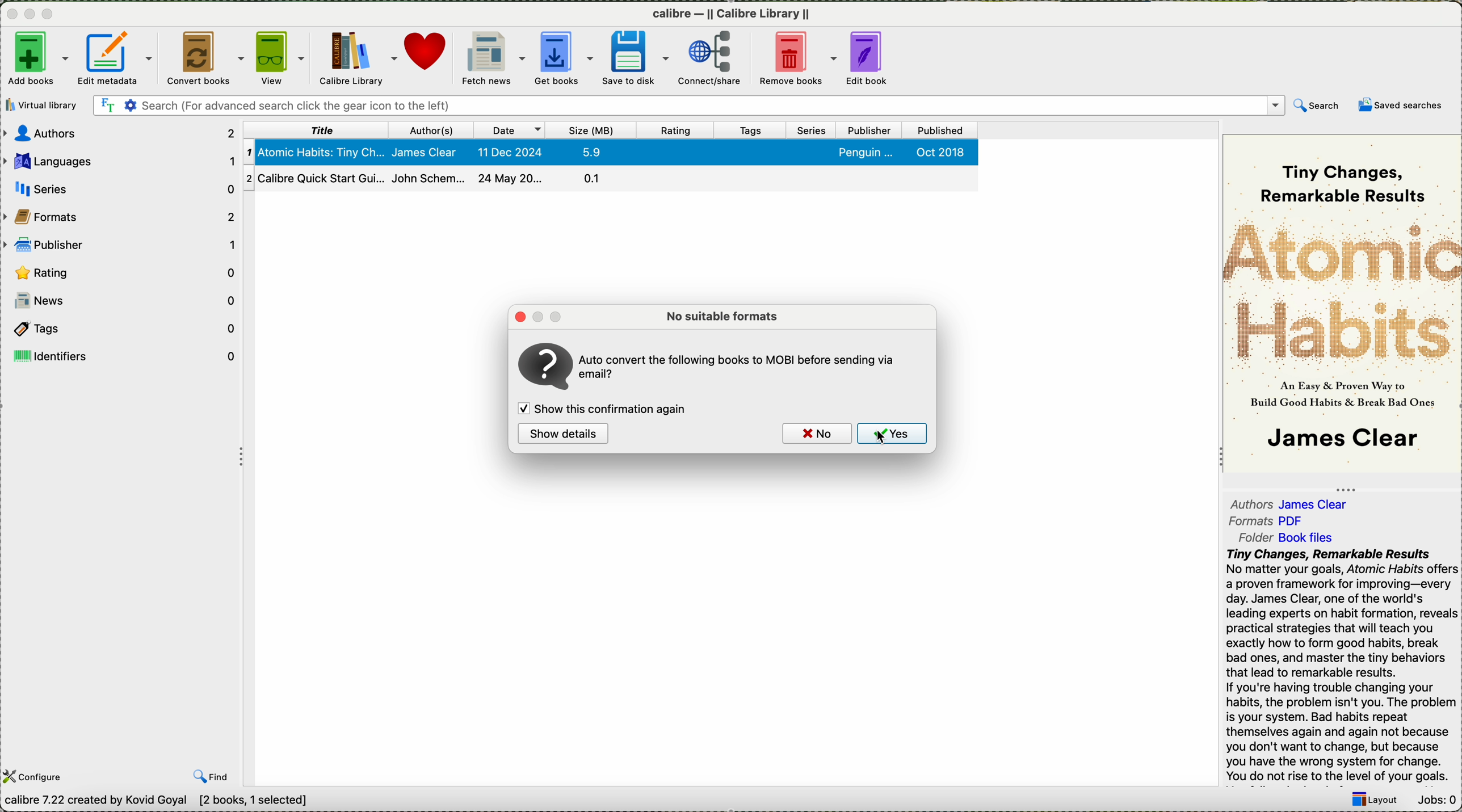 The image size is (1462, 812). I want to click on formats, so click(121, 213).